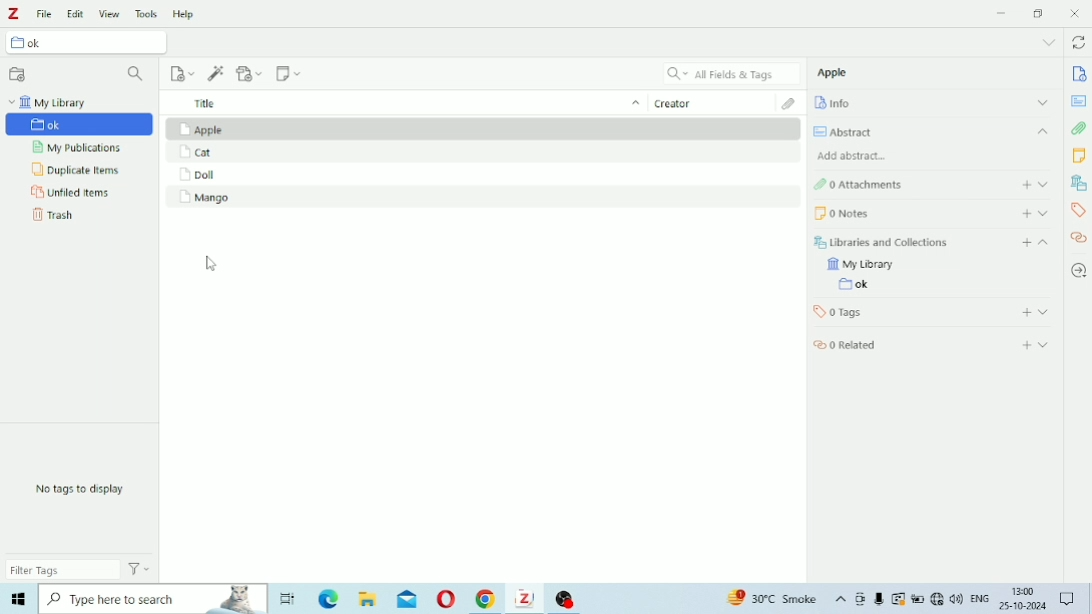 The height and width of the screenshot is (614, 1092). What do you see at coordinates (1079, 156) in the screenshot?
I see `Notes` at bounding box center [1079, 156].